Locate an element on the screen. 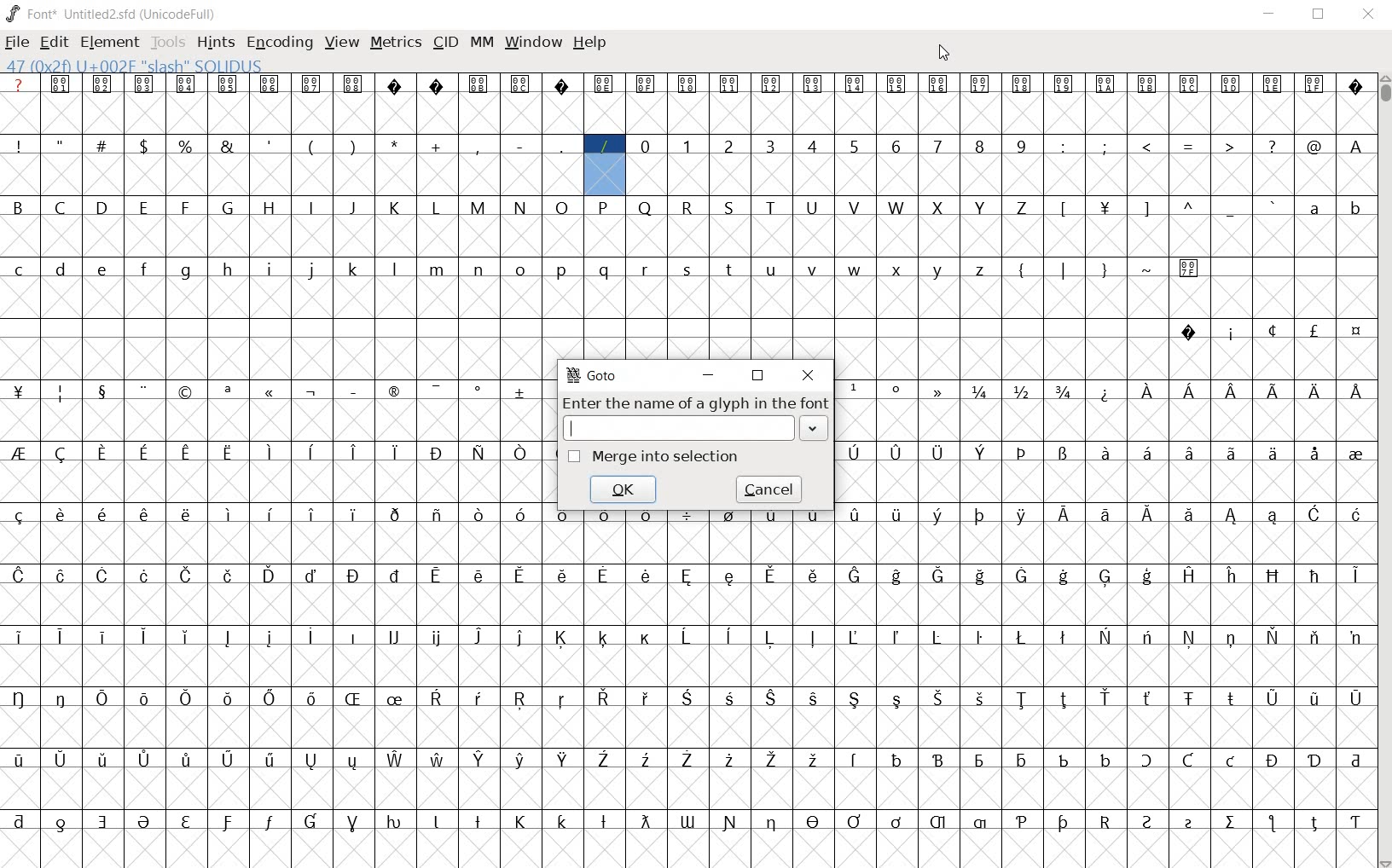  glyph is located at coordinates (1189, 699).